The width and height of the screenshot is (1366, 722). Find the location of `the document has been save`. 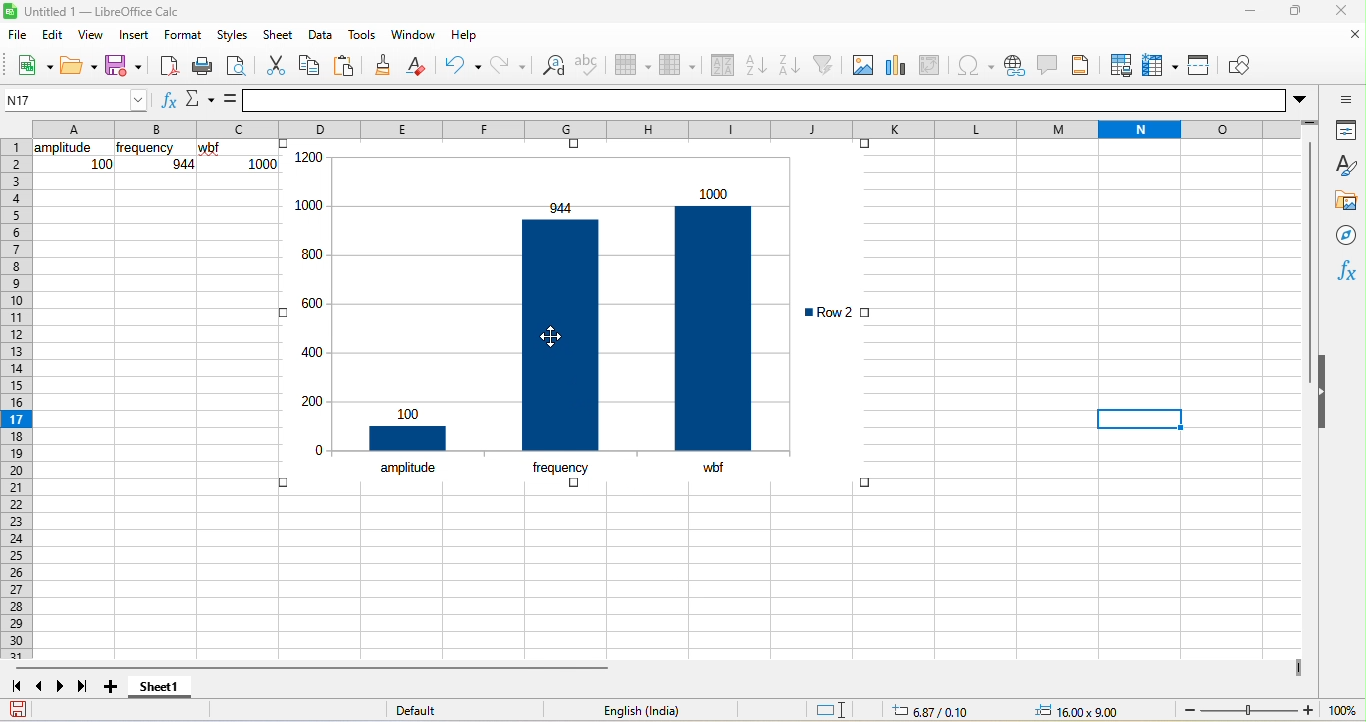

the document has been save is located at coordinates (27, 710).